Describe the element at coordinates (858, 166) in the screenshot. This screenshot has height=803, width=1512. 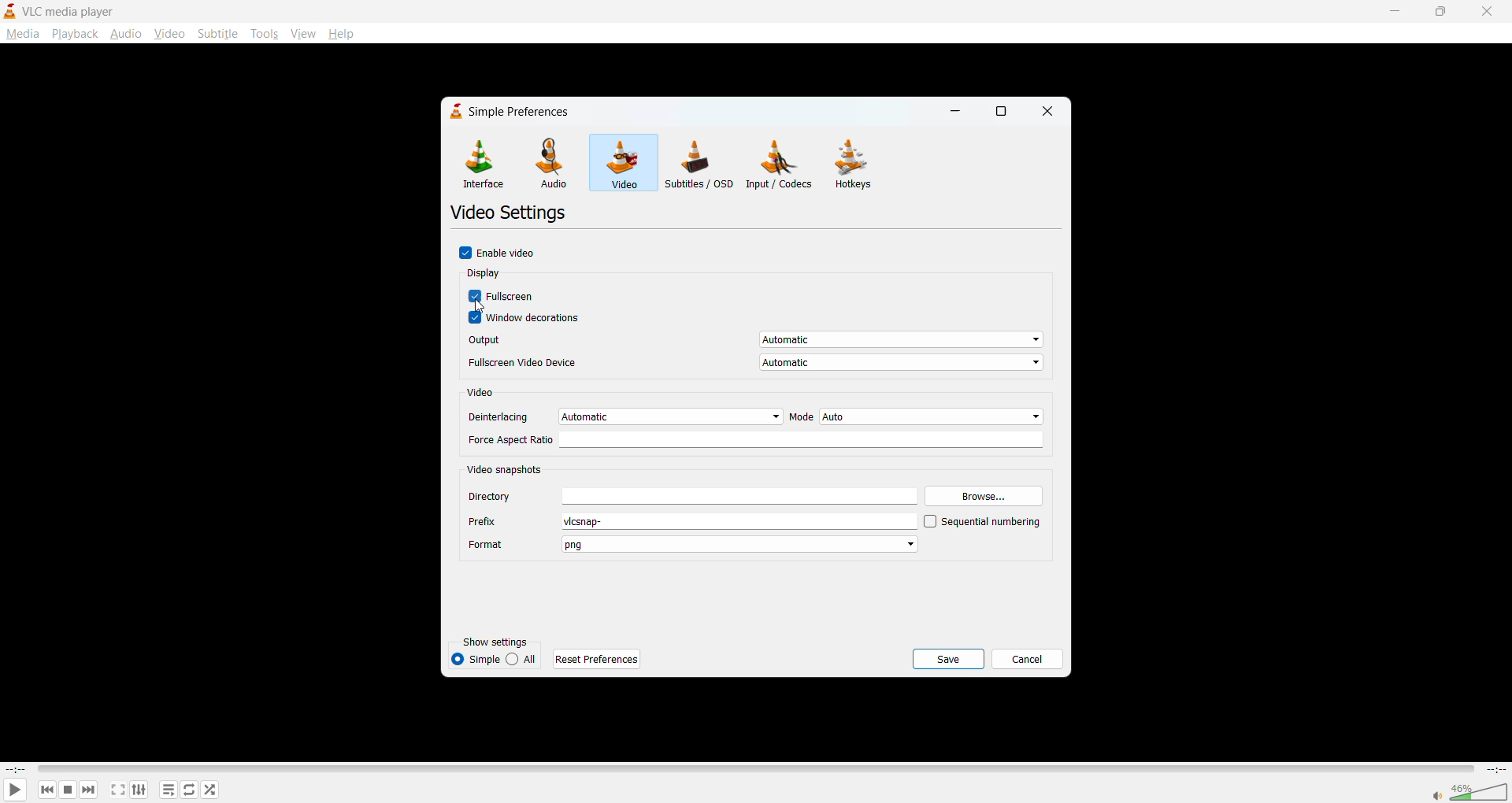
I see `hotkeys` at that location.